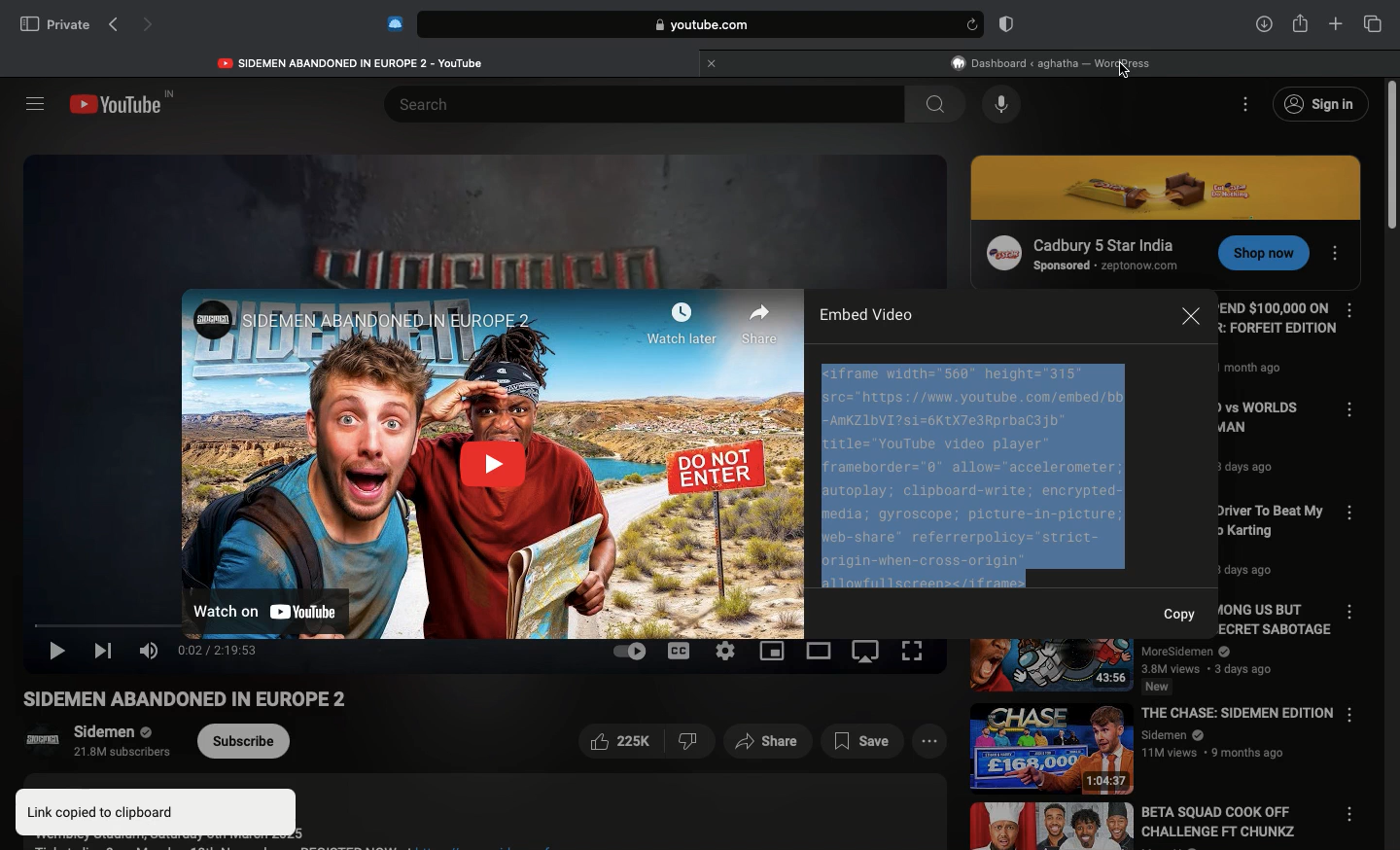 Image resolution: width=1400 pixels, height=850 pixels. Describe the element at coordinates (863, 314) in the screenshot. I see `Embed video` at that location.